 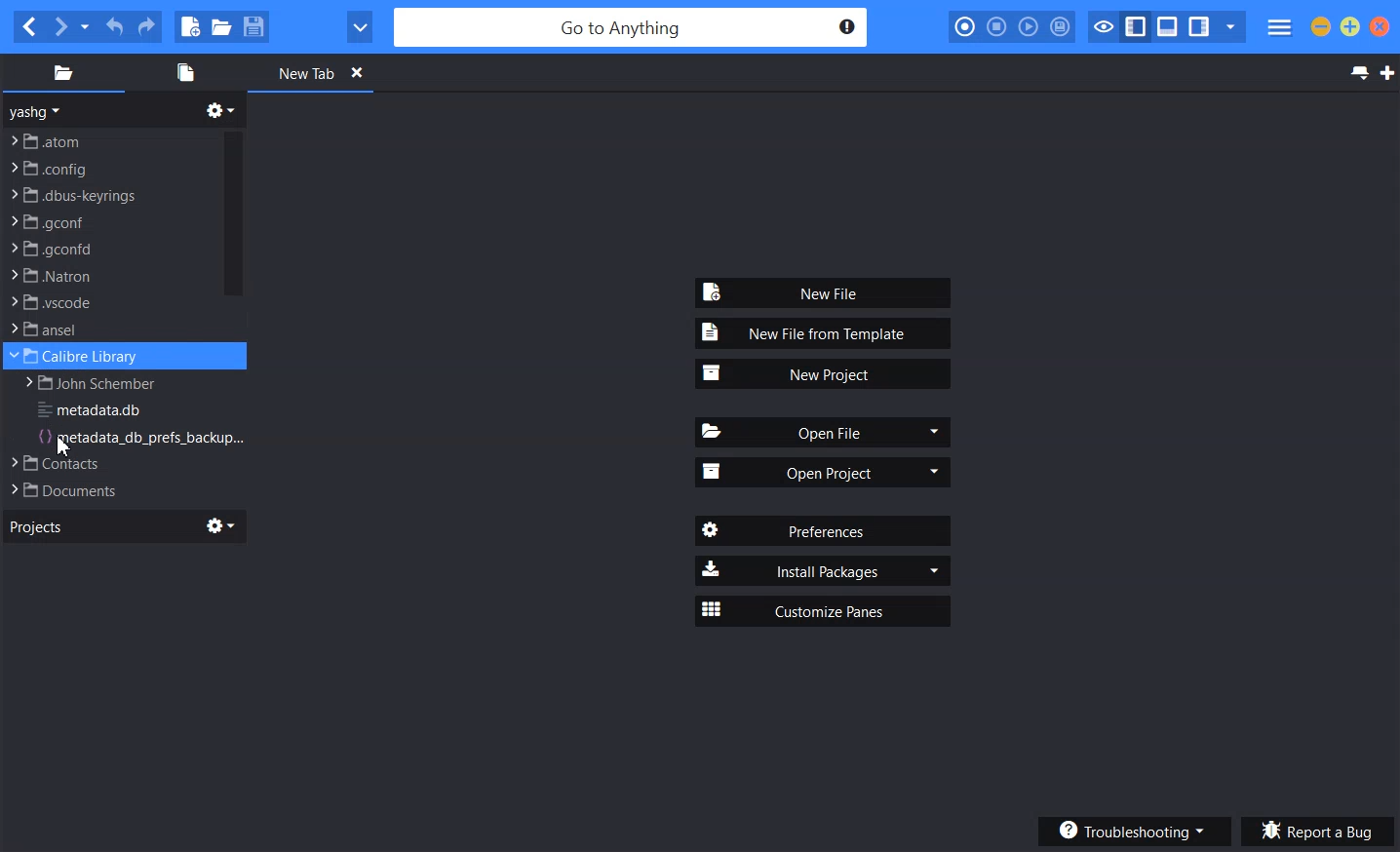 What do you see at coordinates (1318, 832) in the screenshot?
I see `Report a bug` at bounding box center [1318, 832].